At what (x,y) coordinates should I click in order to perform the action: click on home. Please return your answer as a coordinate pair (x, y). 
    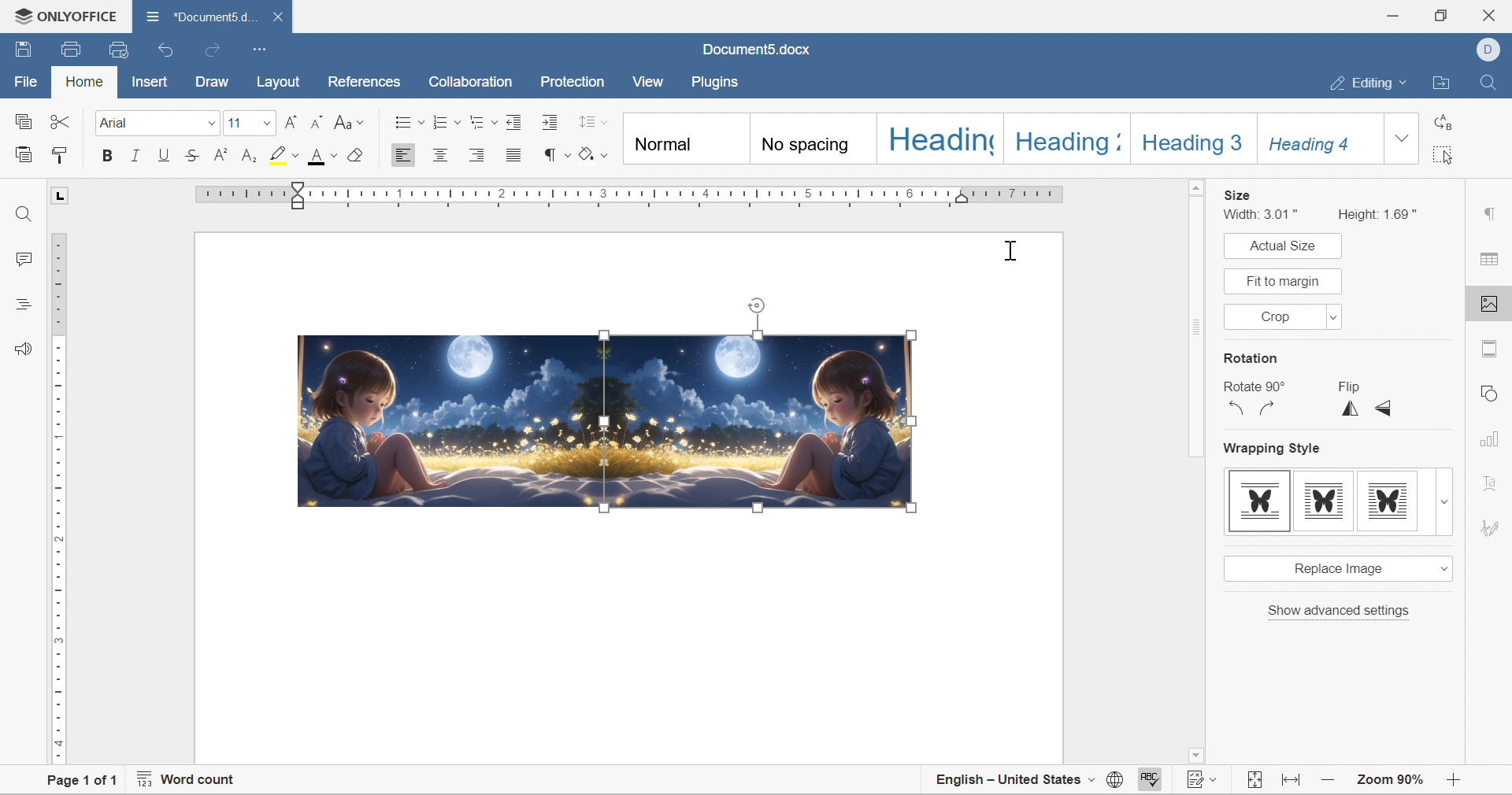
    Looking at the image, I should click on (83, 80).